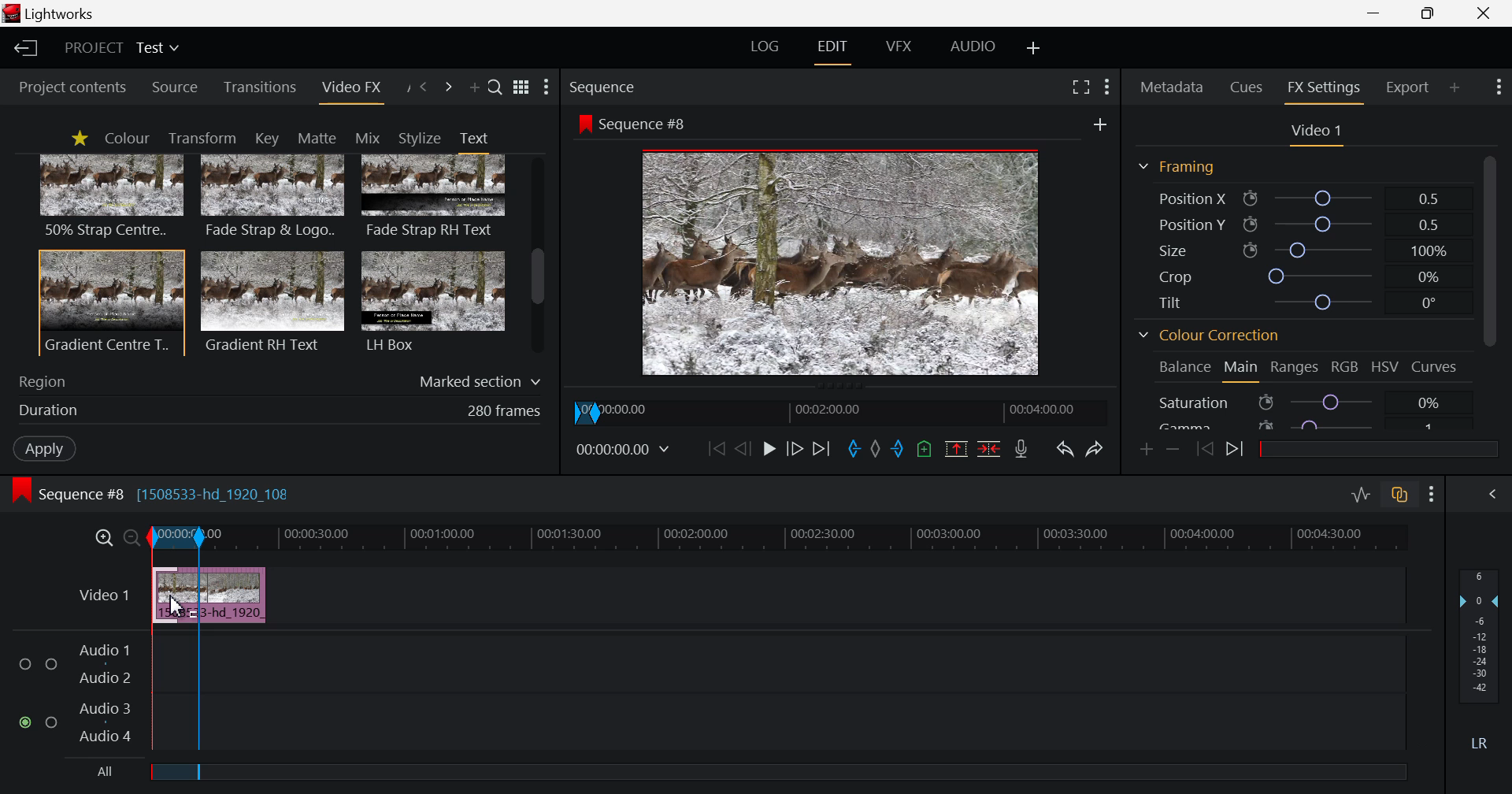 The image size is (1512, 794). Describe the element at coordinates (102, 738) in the screenshot. I see `audio 4` at that location.